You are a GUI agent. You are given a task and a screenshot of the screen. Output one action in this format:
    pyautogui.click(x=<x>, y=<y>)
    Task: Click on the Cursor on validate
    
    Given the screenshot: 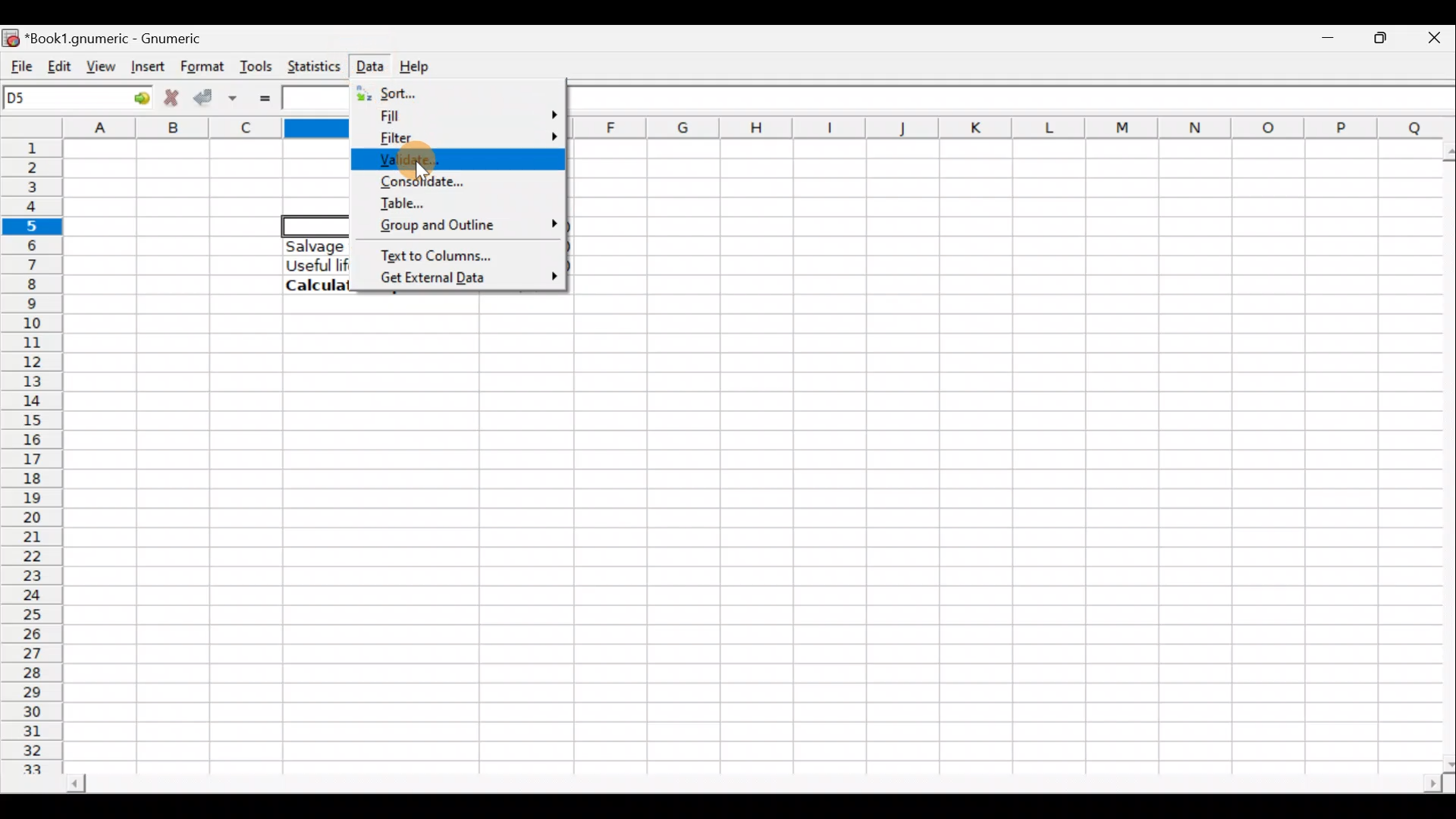 What is the action you would take?
    pyautogui.click(x=426, y=165)
    